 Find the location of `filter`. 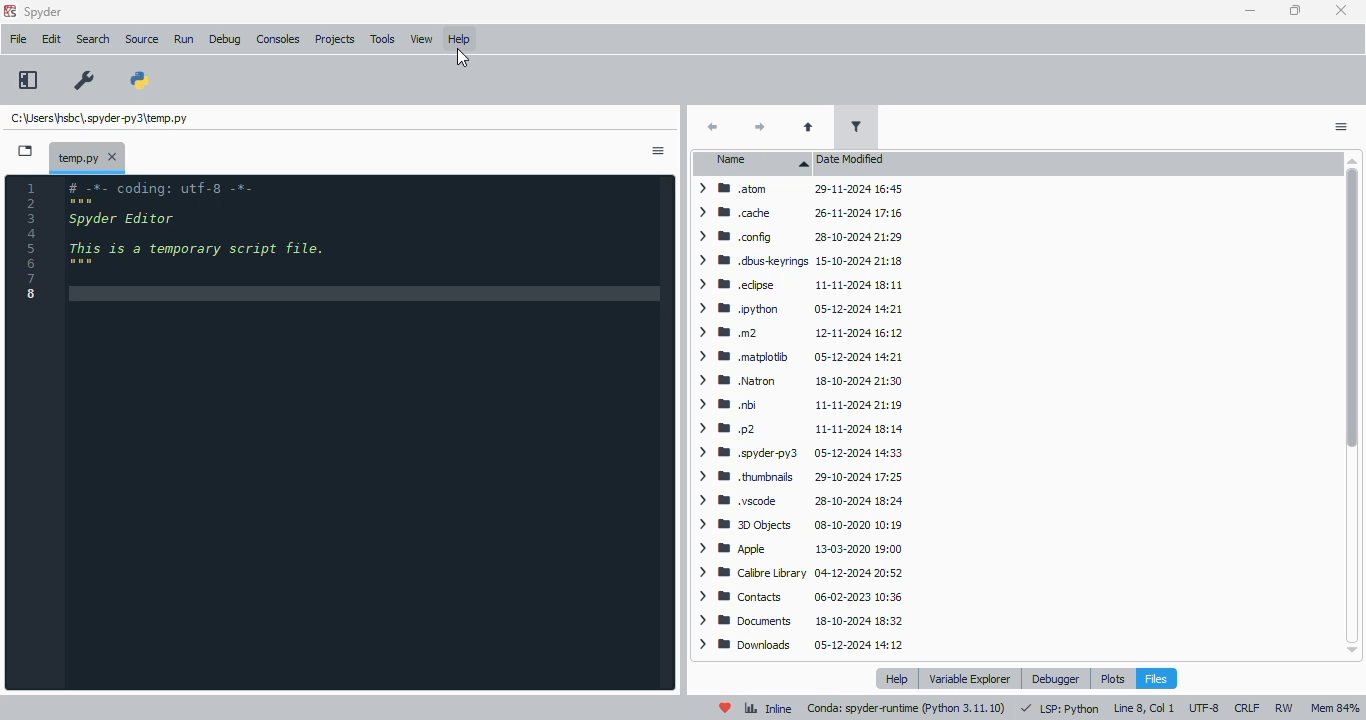

filter is located at coordinates (858, 127).